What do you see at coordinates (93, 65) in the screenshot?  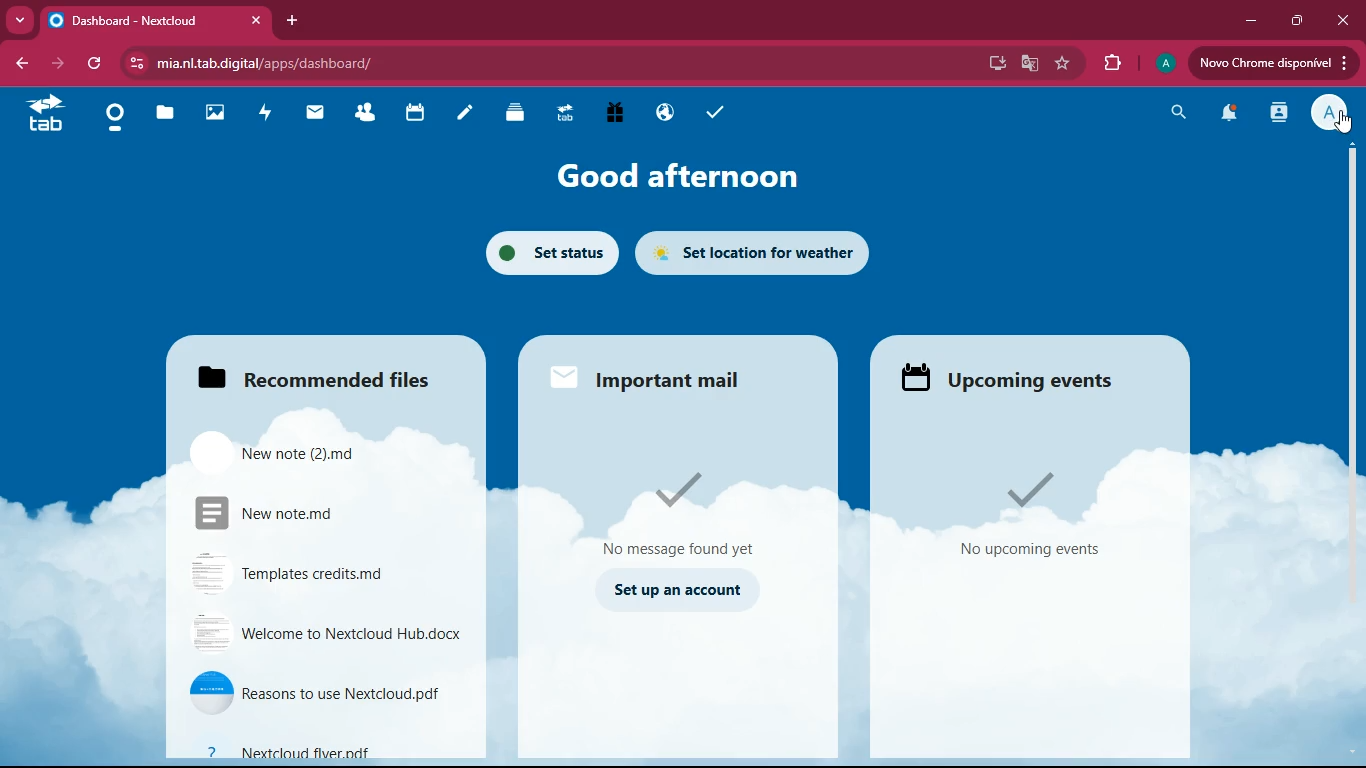 I see `refresh` at bounding box center [93, 65].